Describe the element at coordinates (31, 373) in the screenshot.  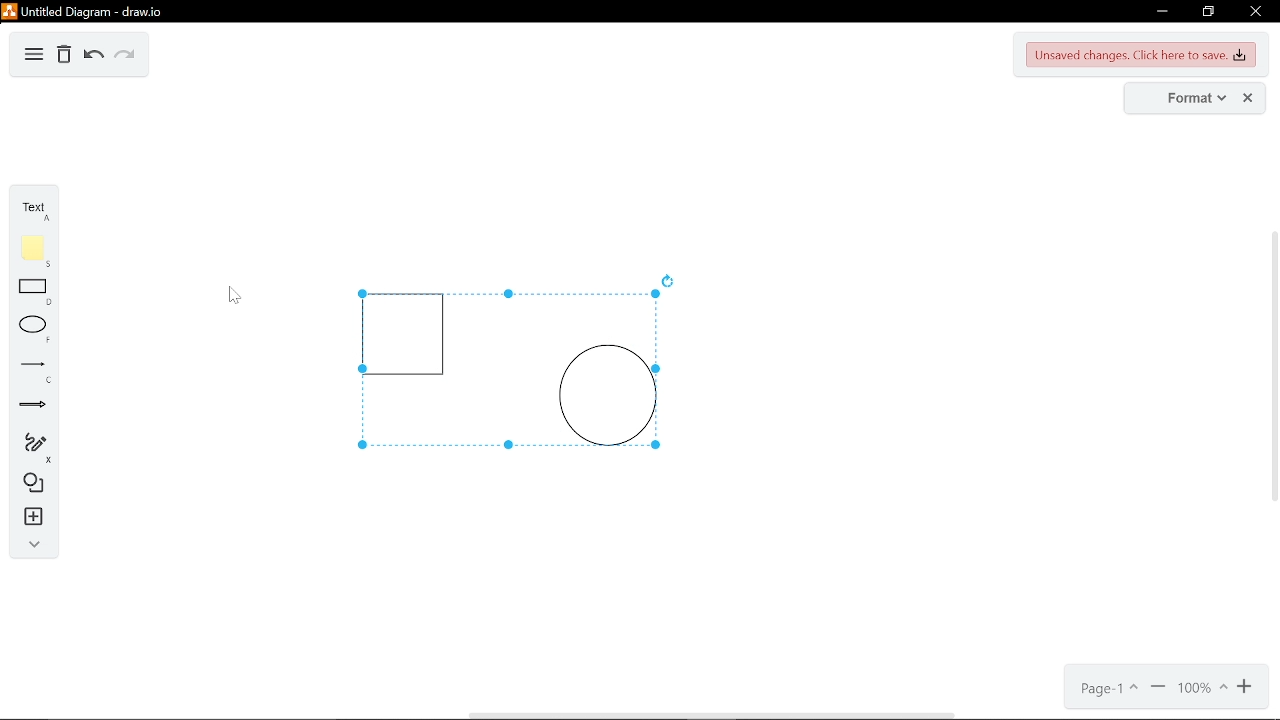
I see `line` at that location.